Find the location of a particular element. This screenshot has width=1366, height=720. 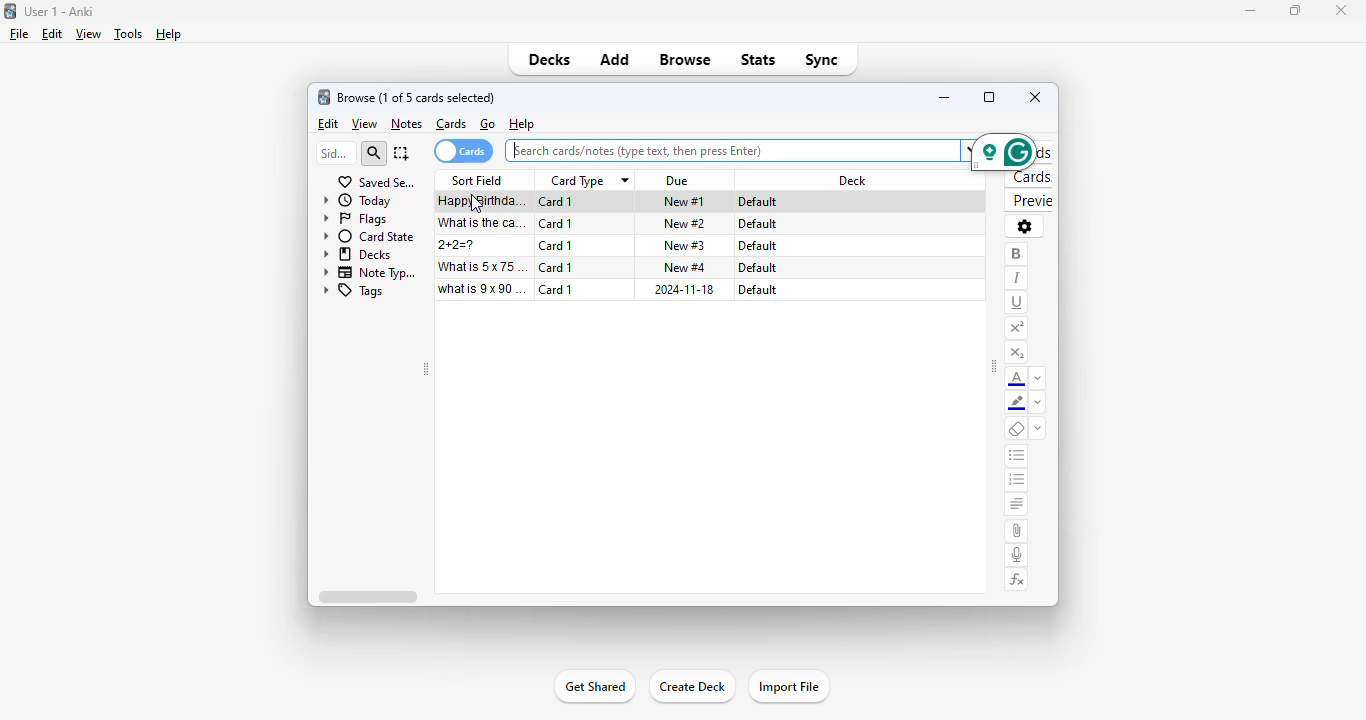

mouse down is located at coordinates (476, 204).